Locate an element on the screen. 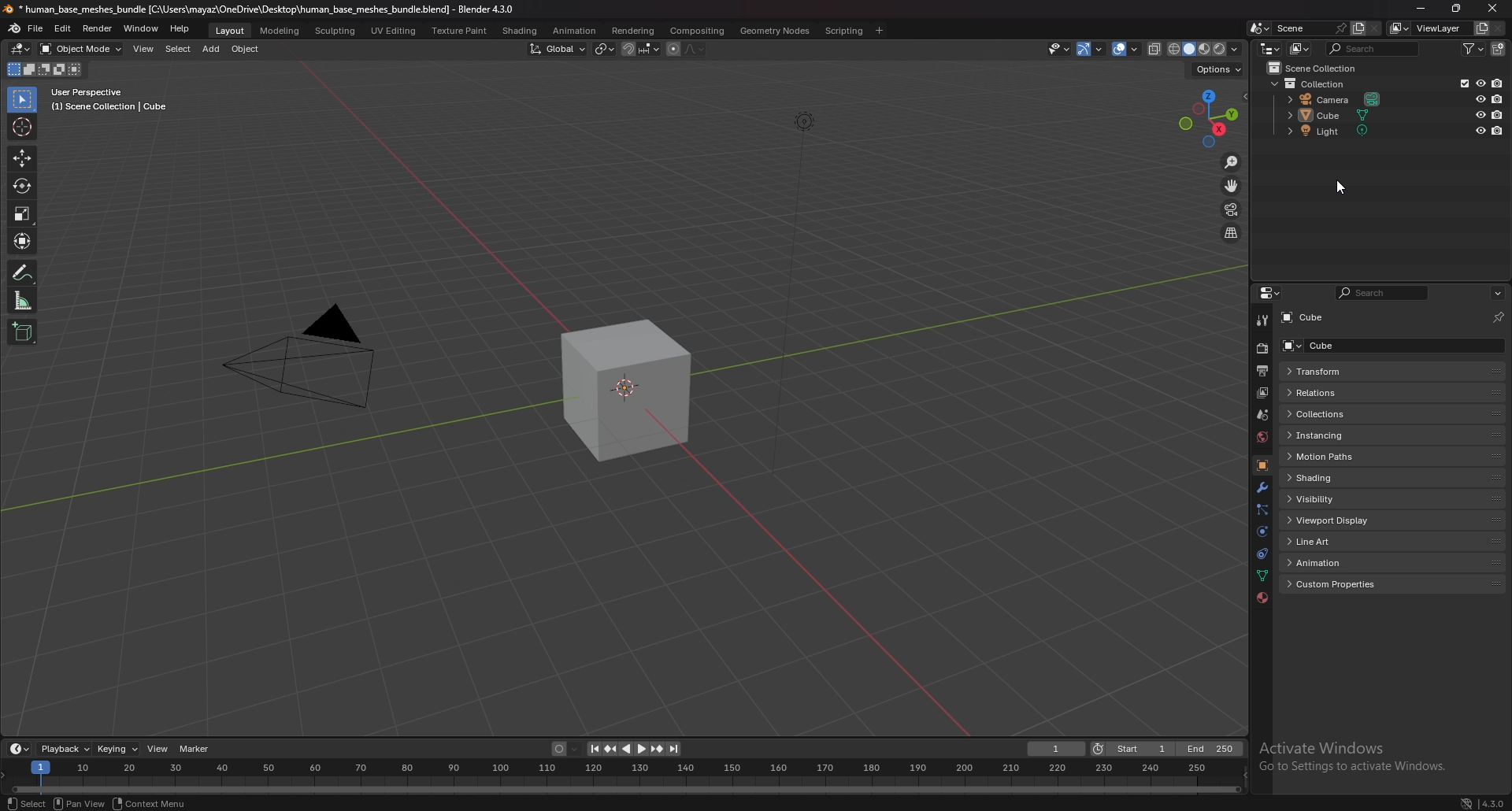 The height and width of the screenshot is (811, 1512). move is located at coordinates (1234, 185).